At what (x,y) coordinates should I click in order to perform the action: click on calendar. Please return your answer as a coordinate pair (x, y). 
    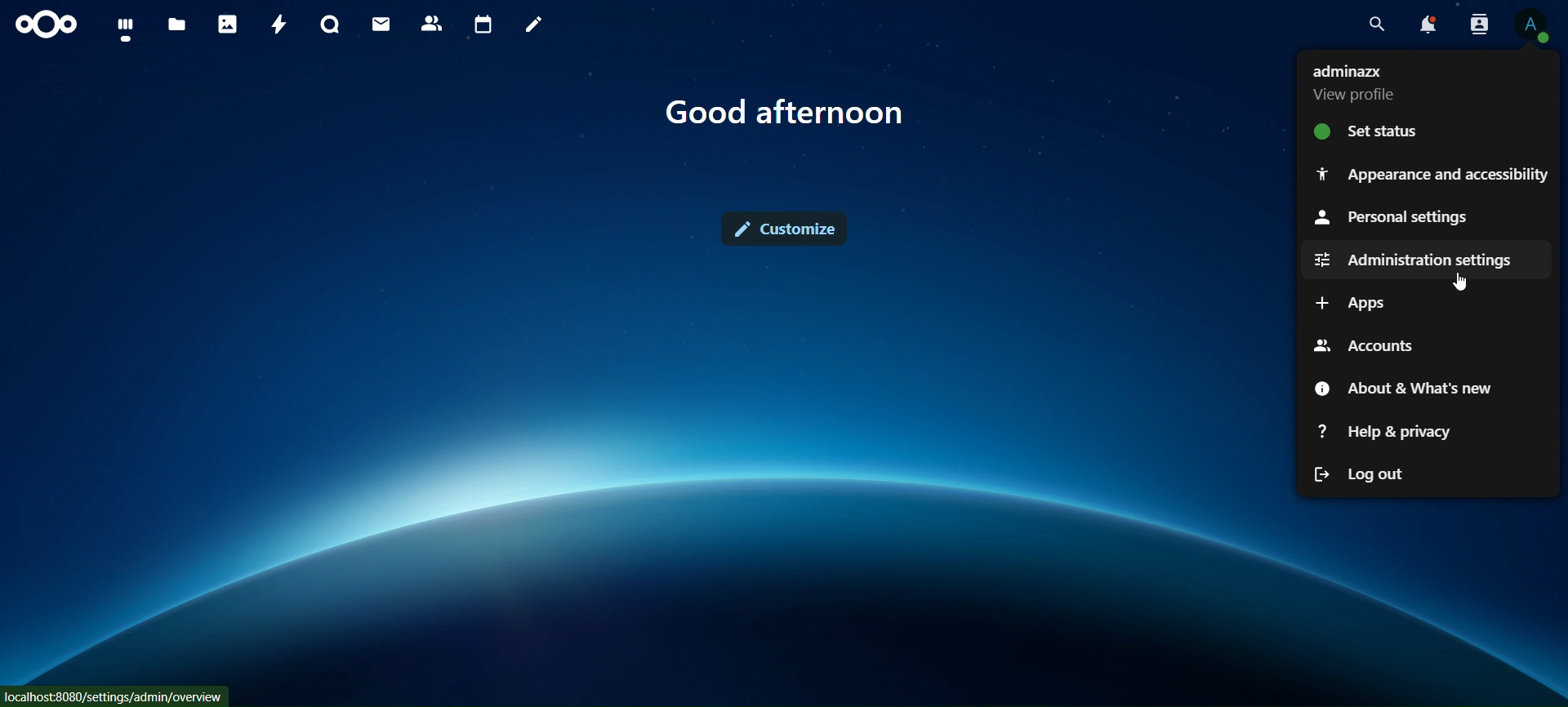
    Looking at the image, I should click on (482, 23).